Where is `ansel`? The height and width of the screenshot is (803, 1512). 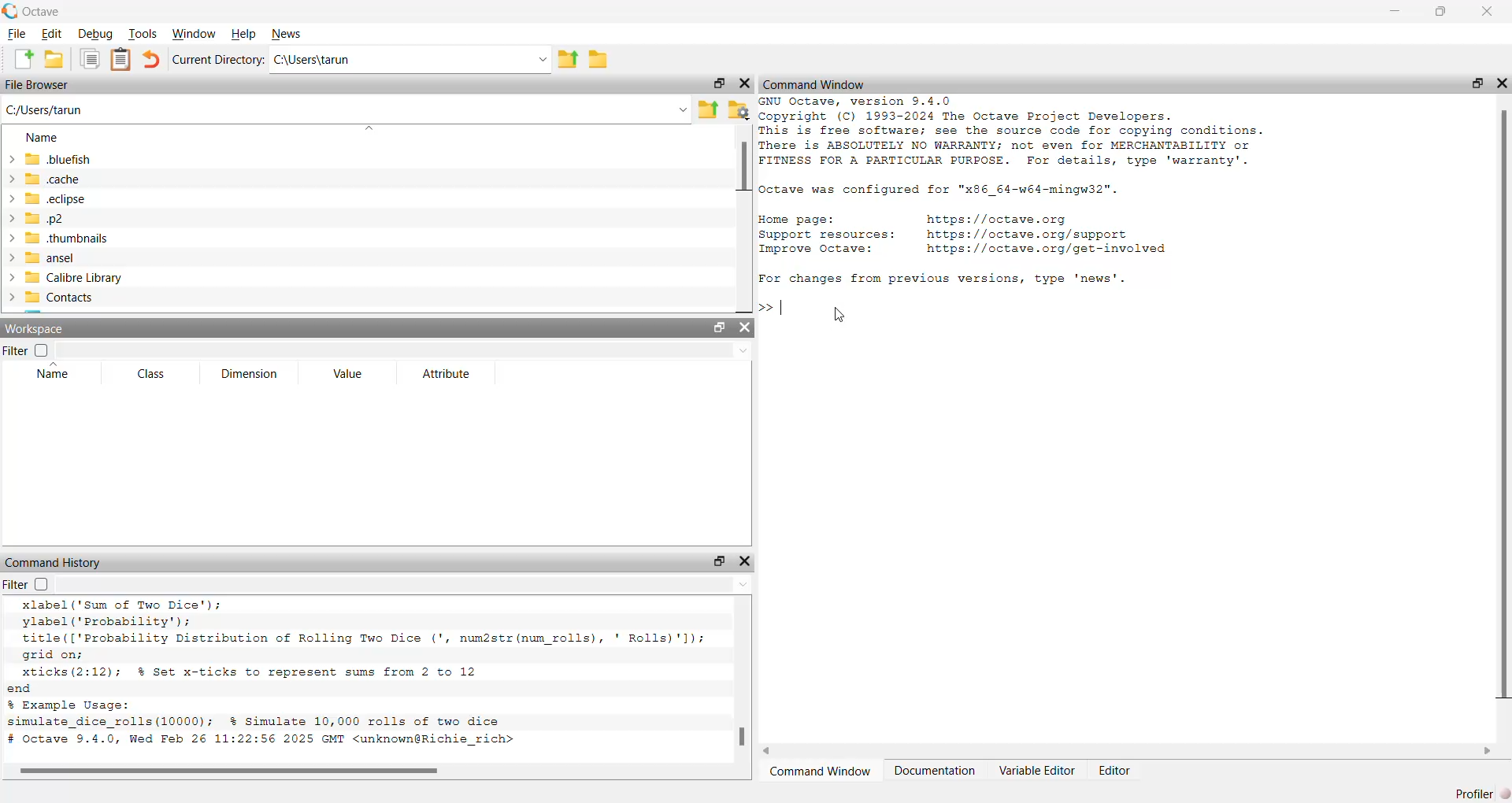
ansel is located at coordinates (41, 257).